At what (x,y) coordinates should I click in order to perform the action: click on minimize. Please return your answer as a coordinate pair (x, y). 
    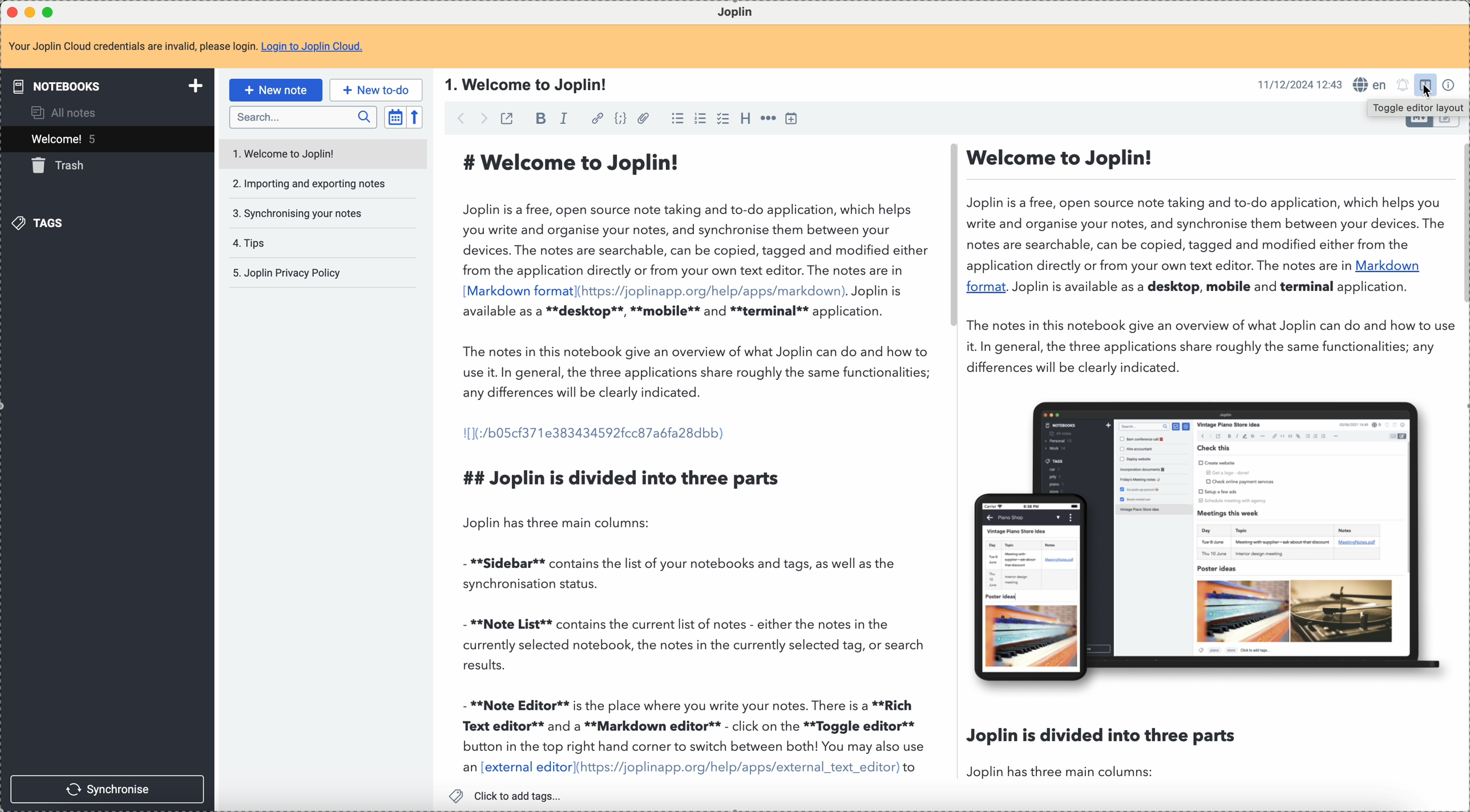
    Looking at the image, I should click on (30, 11).